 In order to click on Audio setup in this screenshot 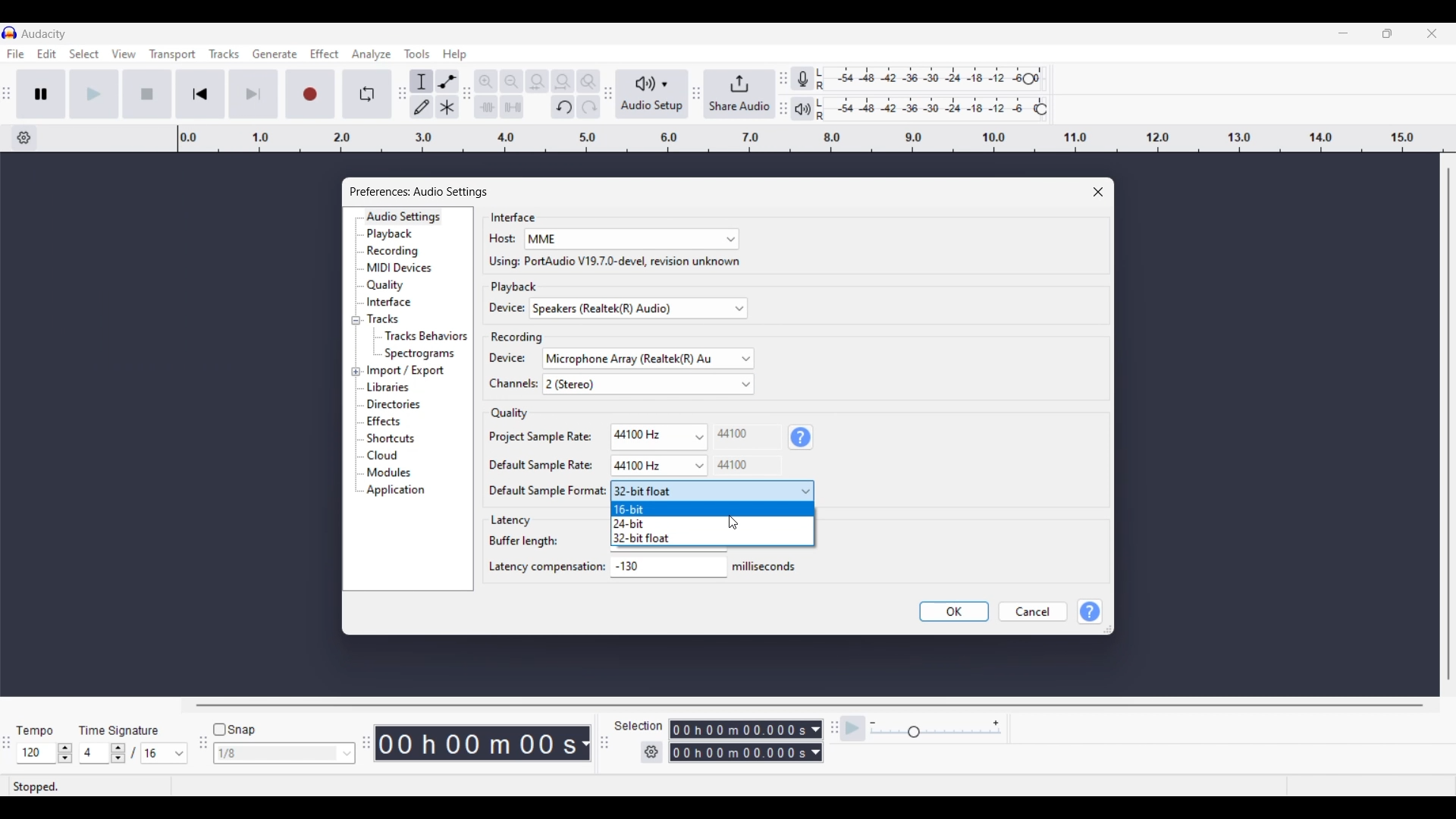, I will do `click(652, 94)`.